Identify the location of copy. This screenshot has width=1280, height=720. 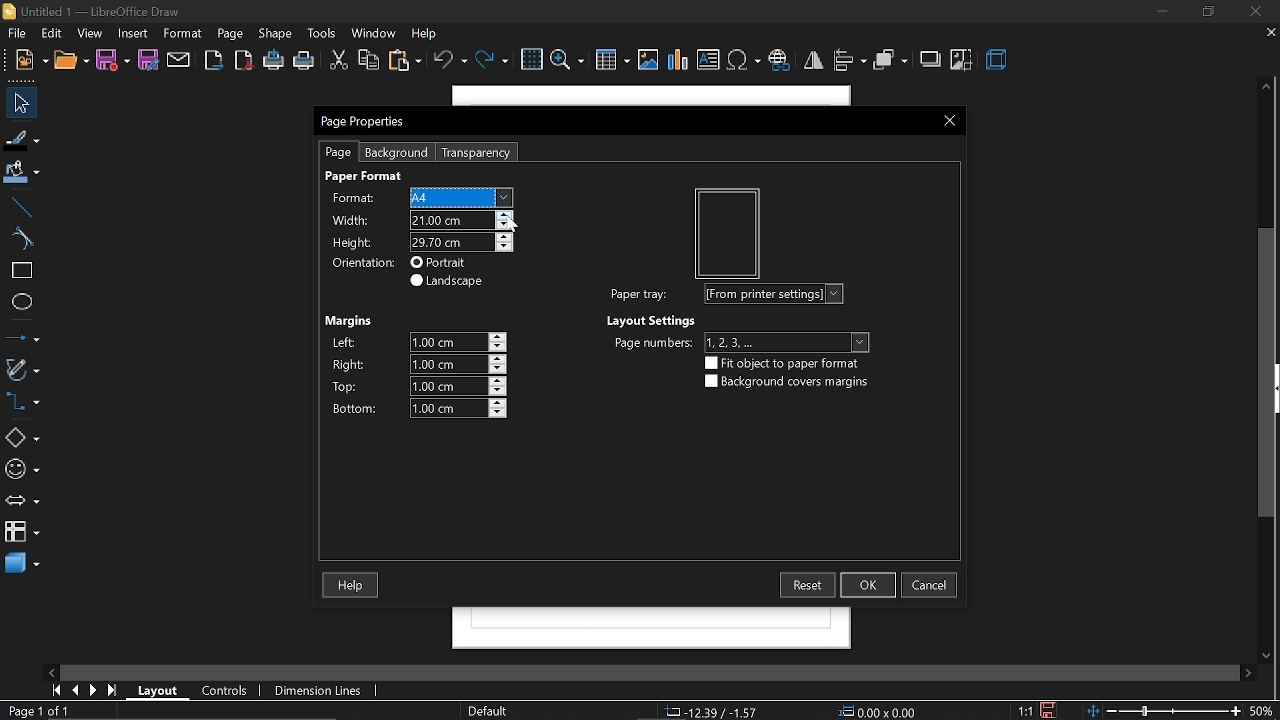
(368, 61).